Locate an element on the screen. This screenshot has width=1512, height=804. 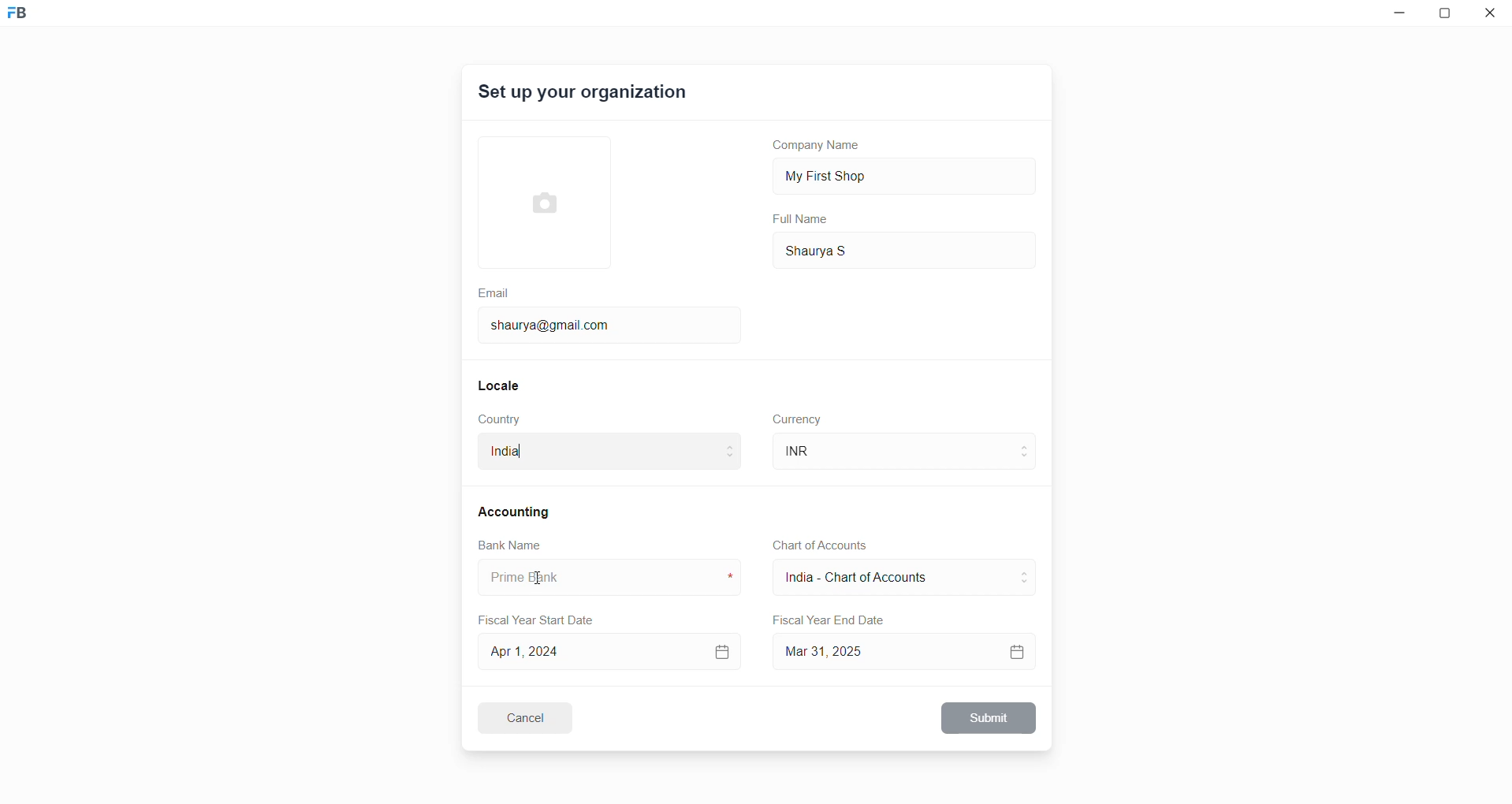
move to below country is located at coordinates (733, 461).